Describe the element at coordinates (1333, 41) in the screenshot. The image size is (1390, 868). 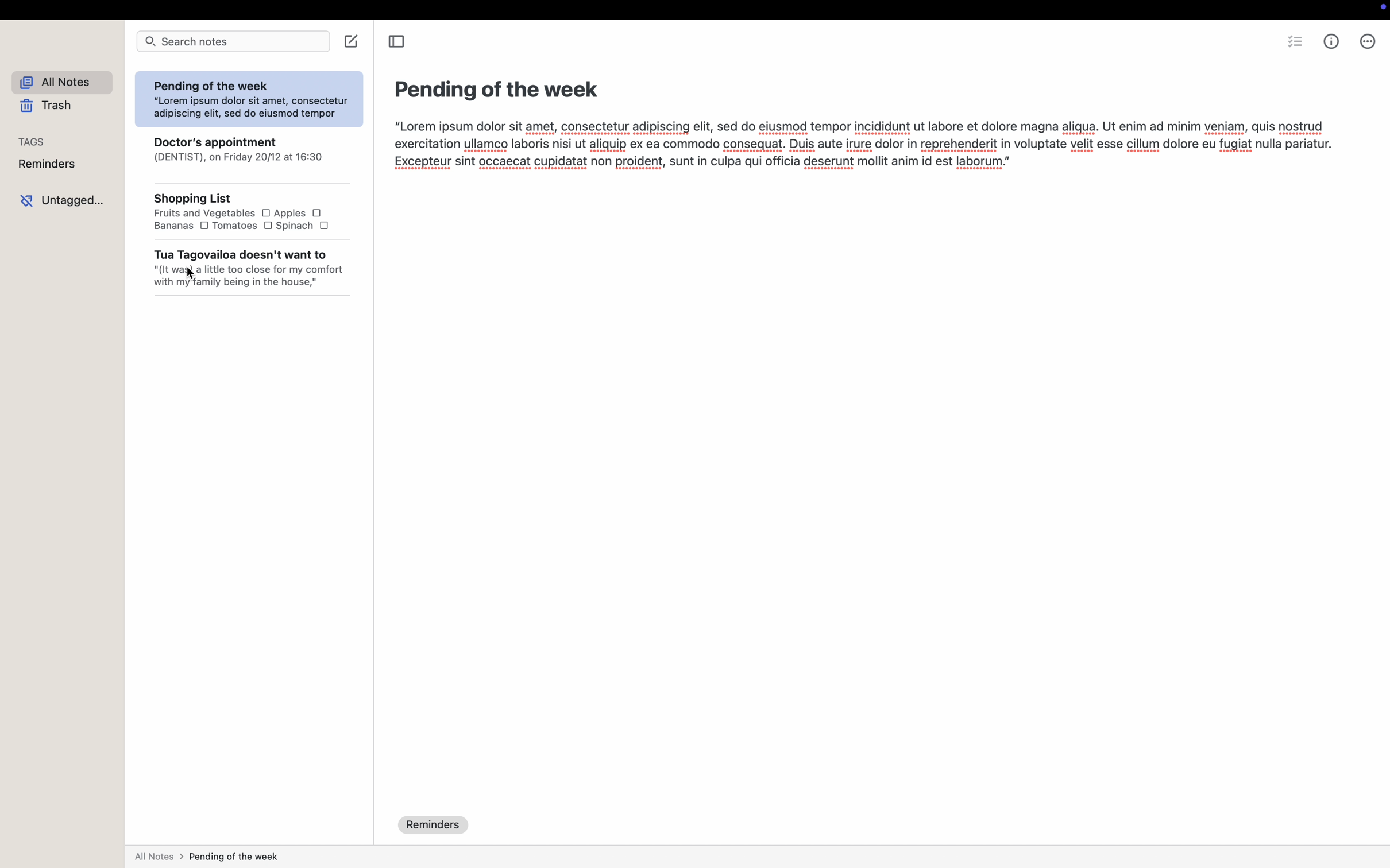
I see `metrics` at that location.